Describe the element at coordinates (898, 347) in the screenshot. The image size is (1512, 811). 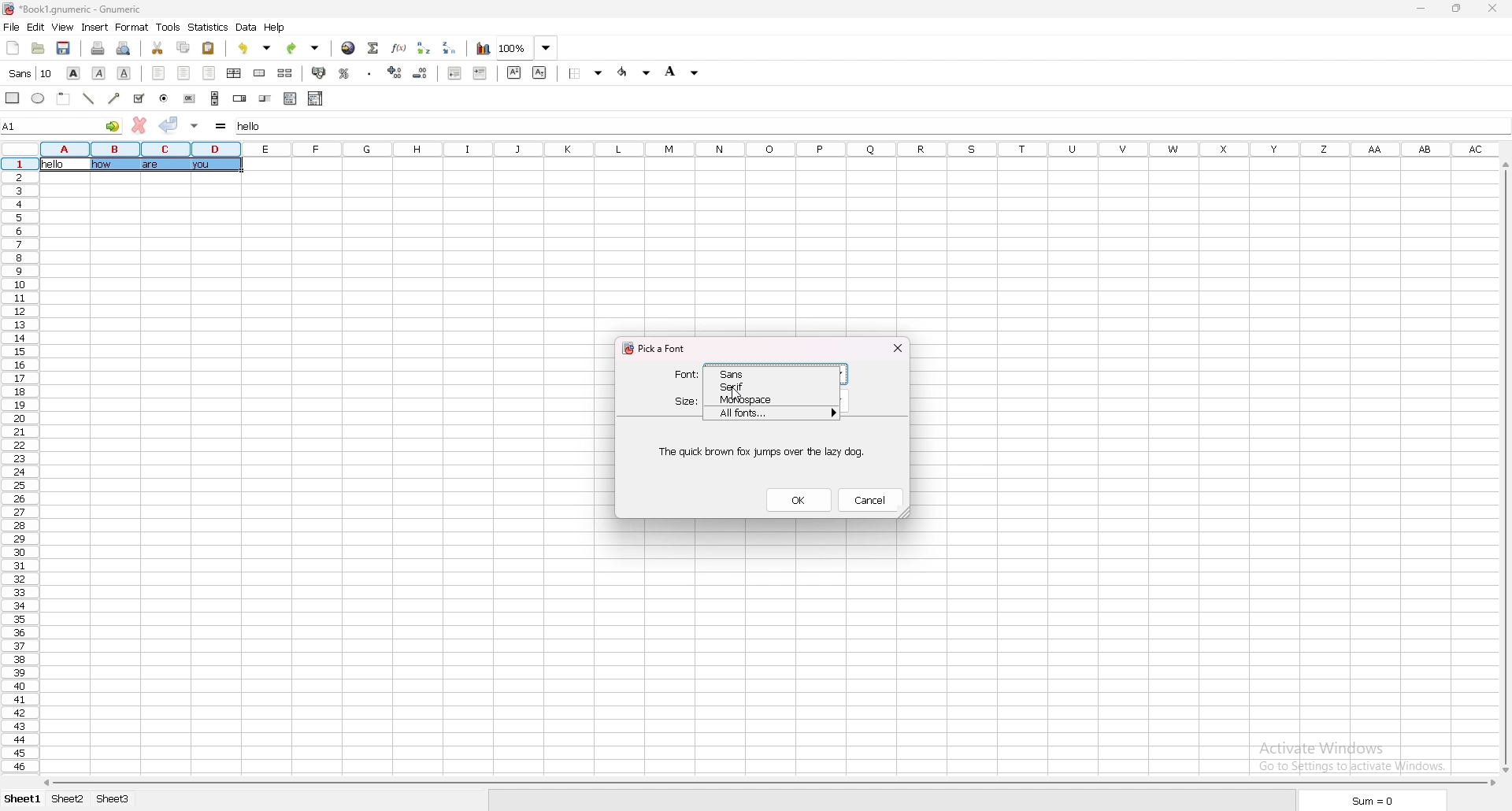
I see `close` at that location.